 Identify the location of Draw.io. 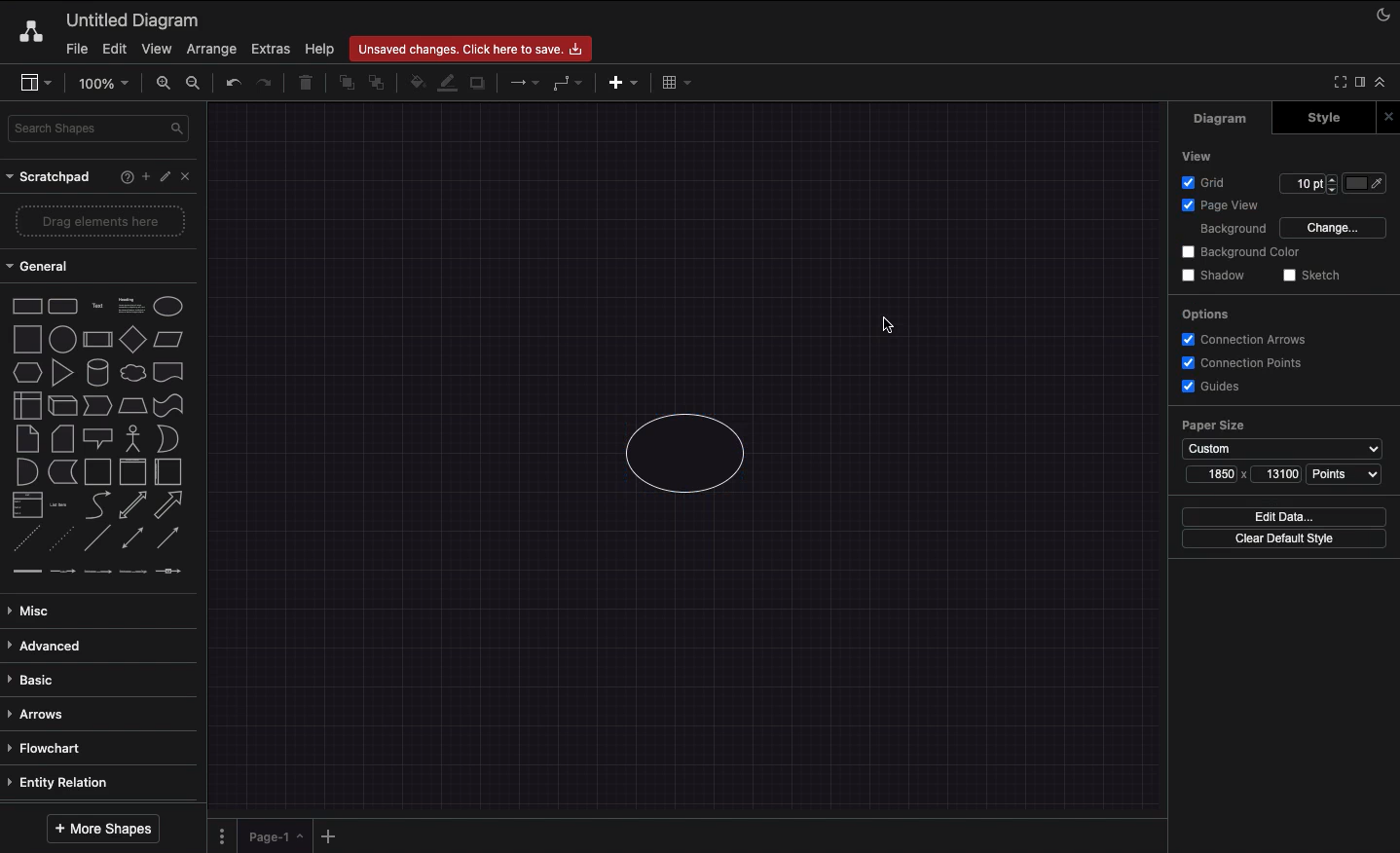
(27, 31).